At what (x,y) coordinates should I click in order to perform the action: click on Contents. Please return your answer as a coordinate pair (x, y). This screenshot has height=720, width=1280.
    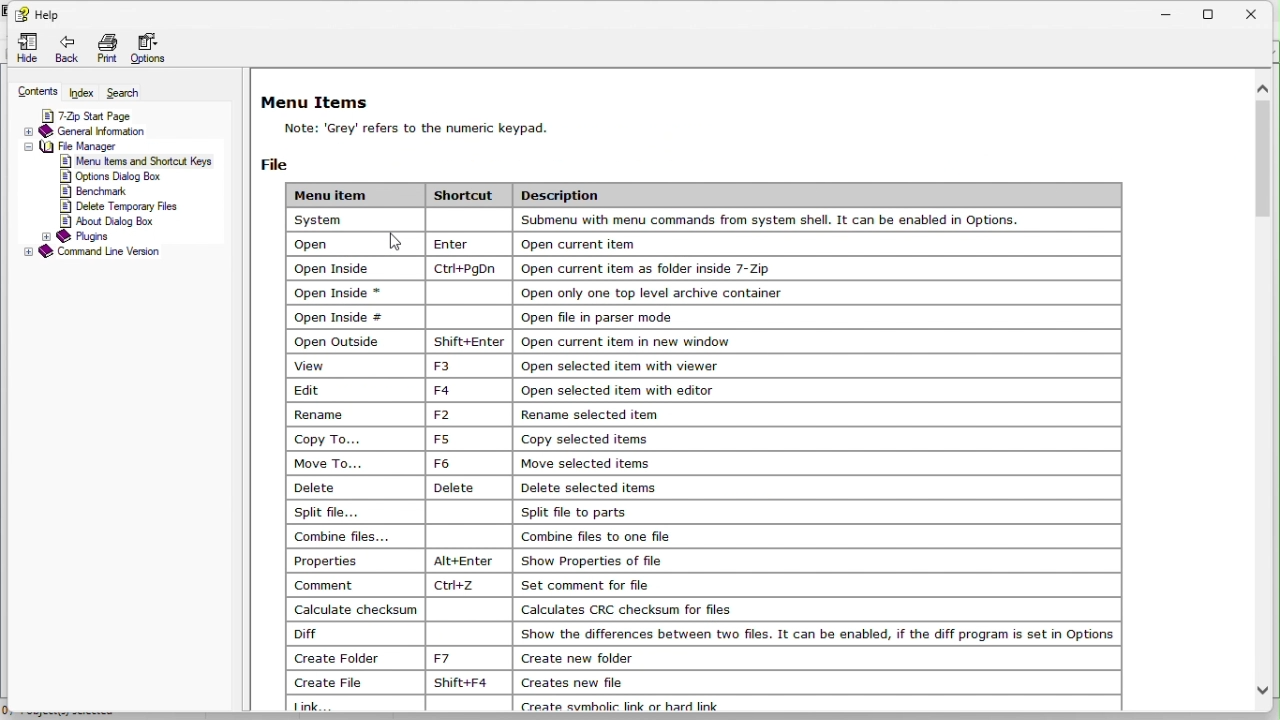
    Looking at the image, I should click on (31, 91).